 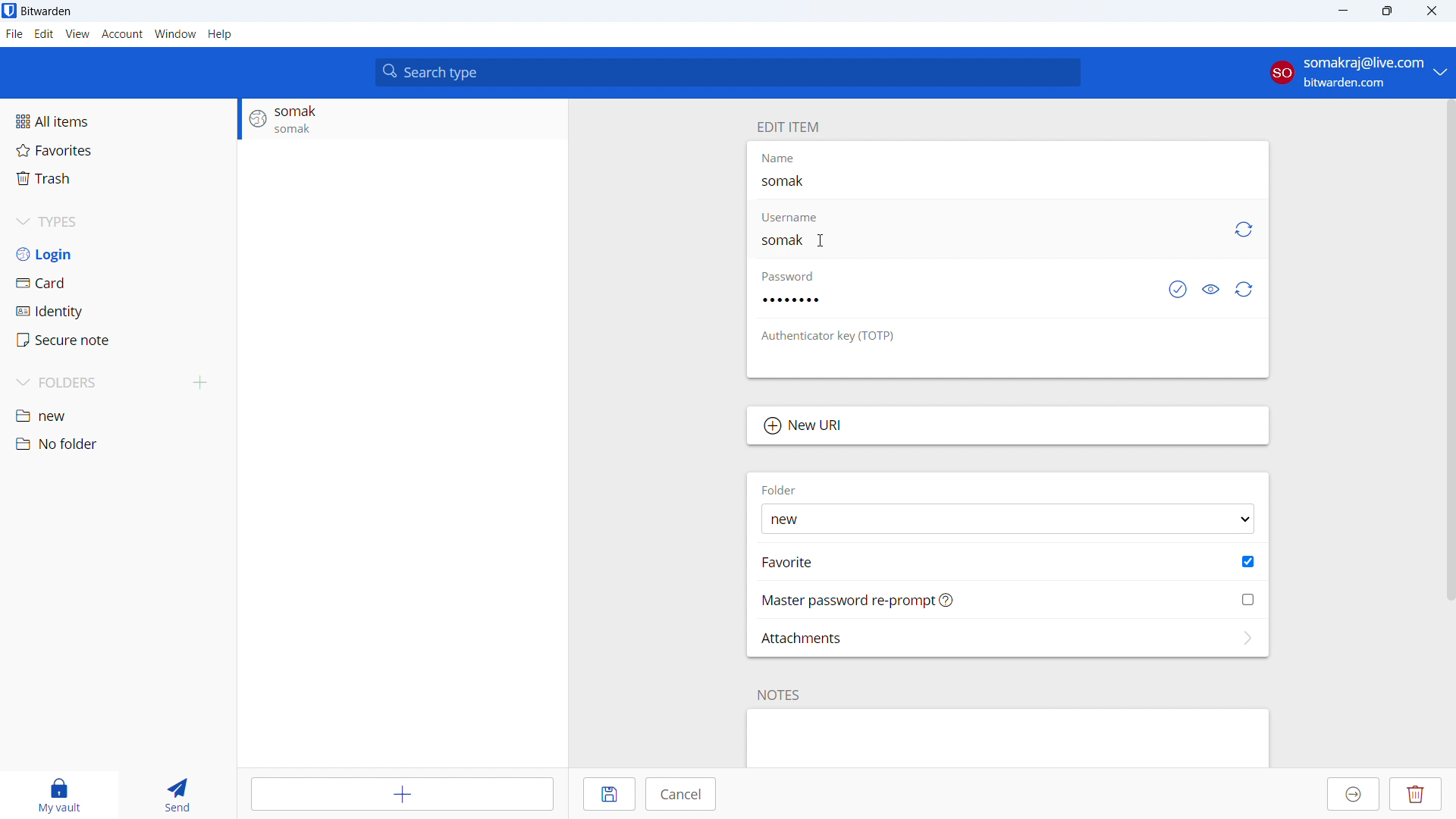 What do you see at coordinates (118, 415) in the screenshot?
I see `new` at bounding box center [118, 415].